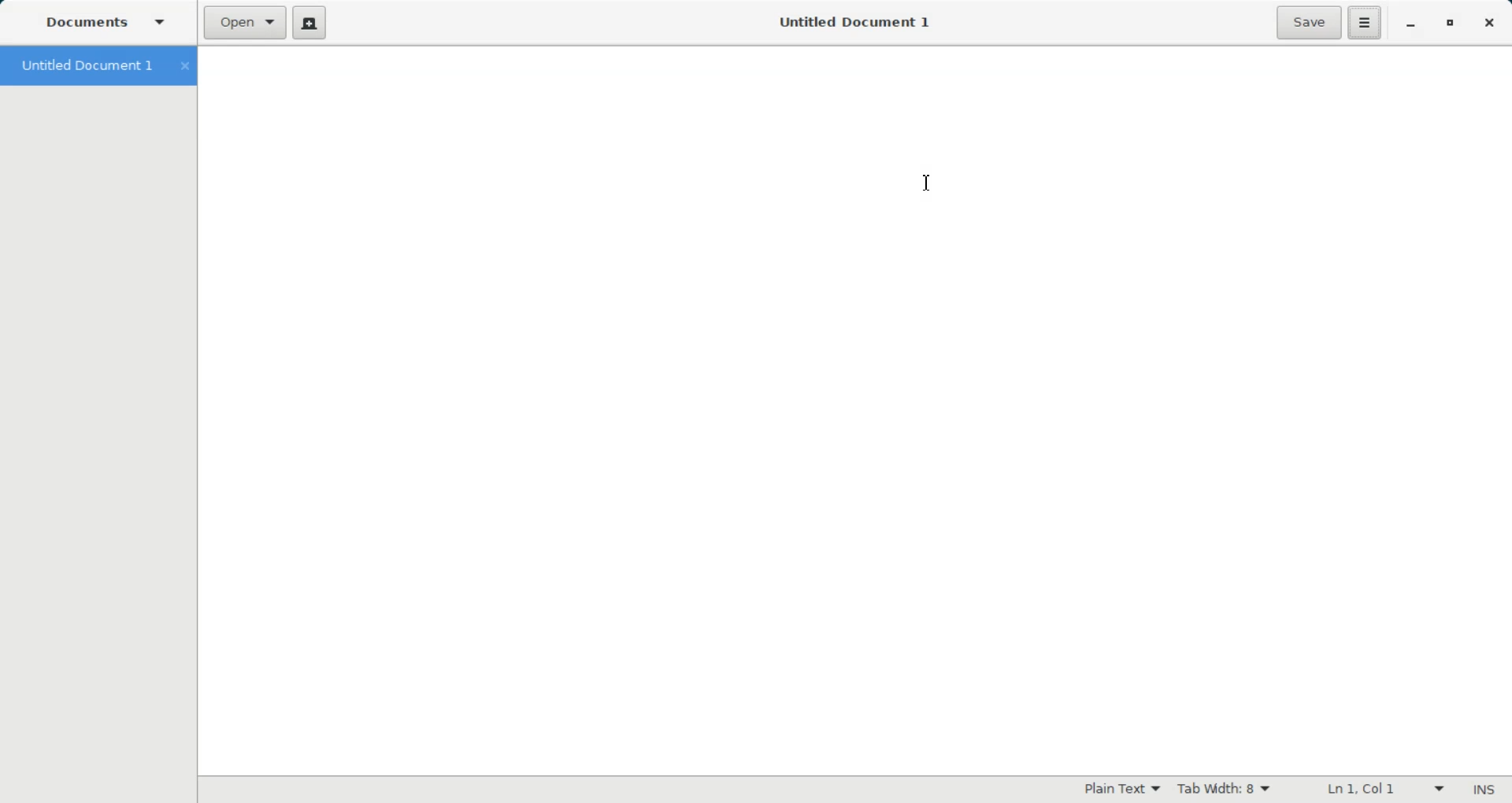 The width and height of the screenshot is (1512, 803). I want to click on Highlighting Mode, so click(1123, 788).